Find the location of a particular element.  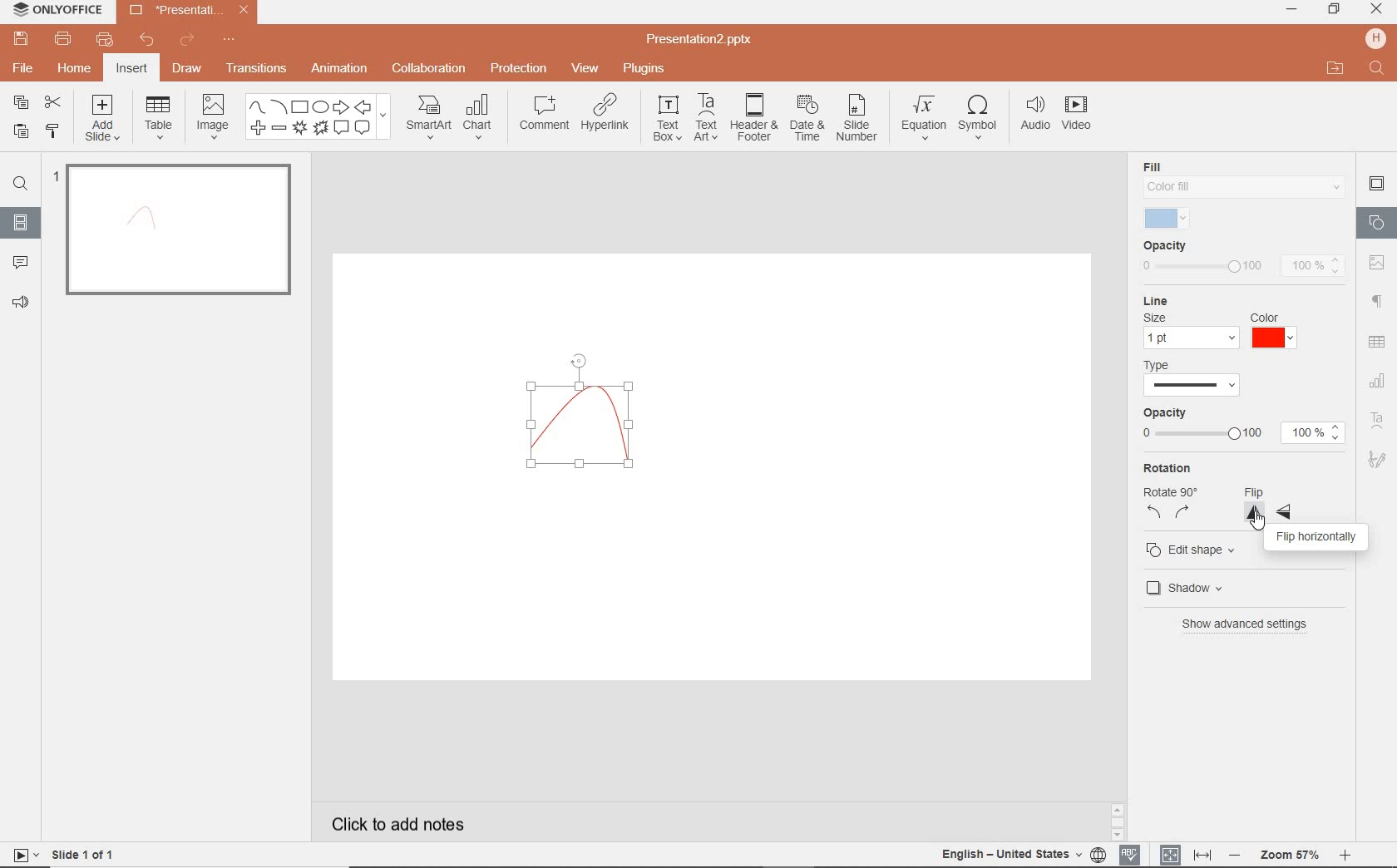

Presentation2.pptx is located at coordinates (701, 42).